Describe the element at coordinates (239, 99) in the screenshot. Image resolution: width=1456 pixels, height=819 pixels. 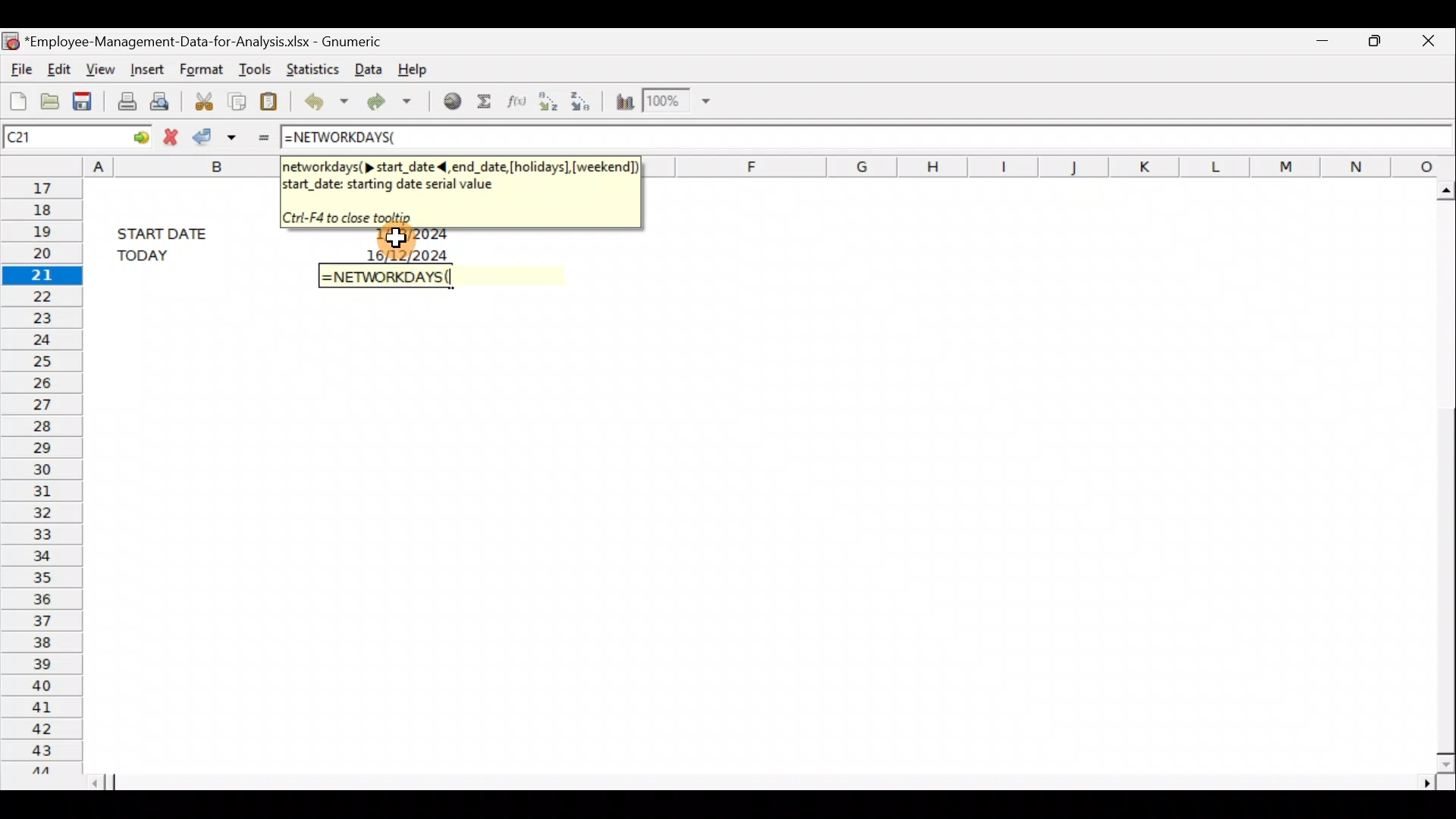
I see `Copy the selection` at that location.